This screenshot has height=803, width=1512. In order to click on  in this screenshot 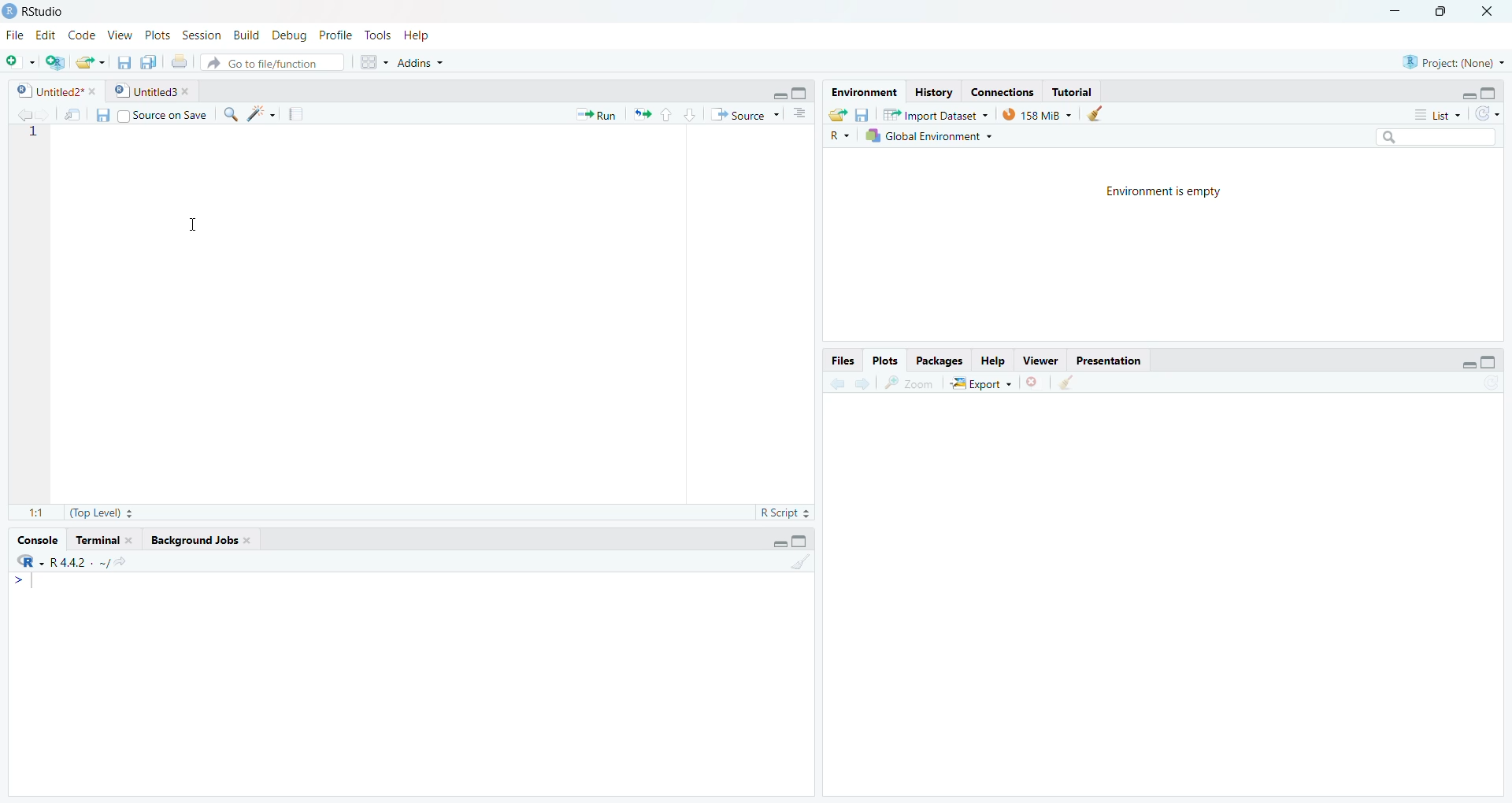, I will do `click(100, 116)`.